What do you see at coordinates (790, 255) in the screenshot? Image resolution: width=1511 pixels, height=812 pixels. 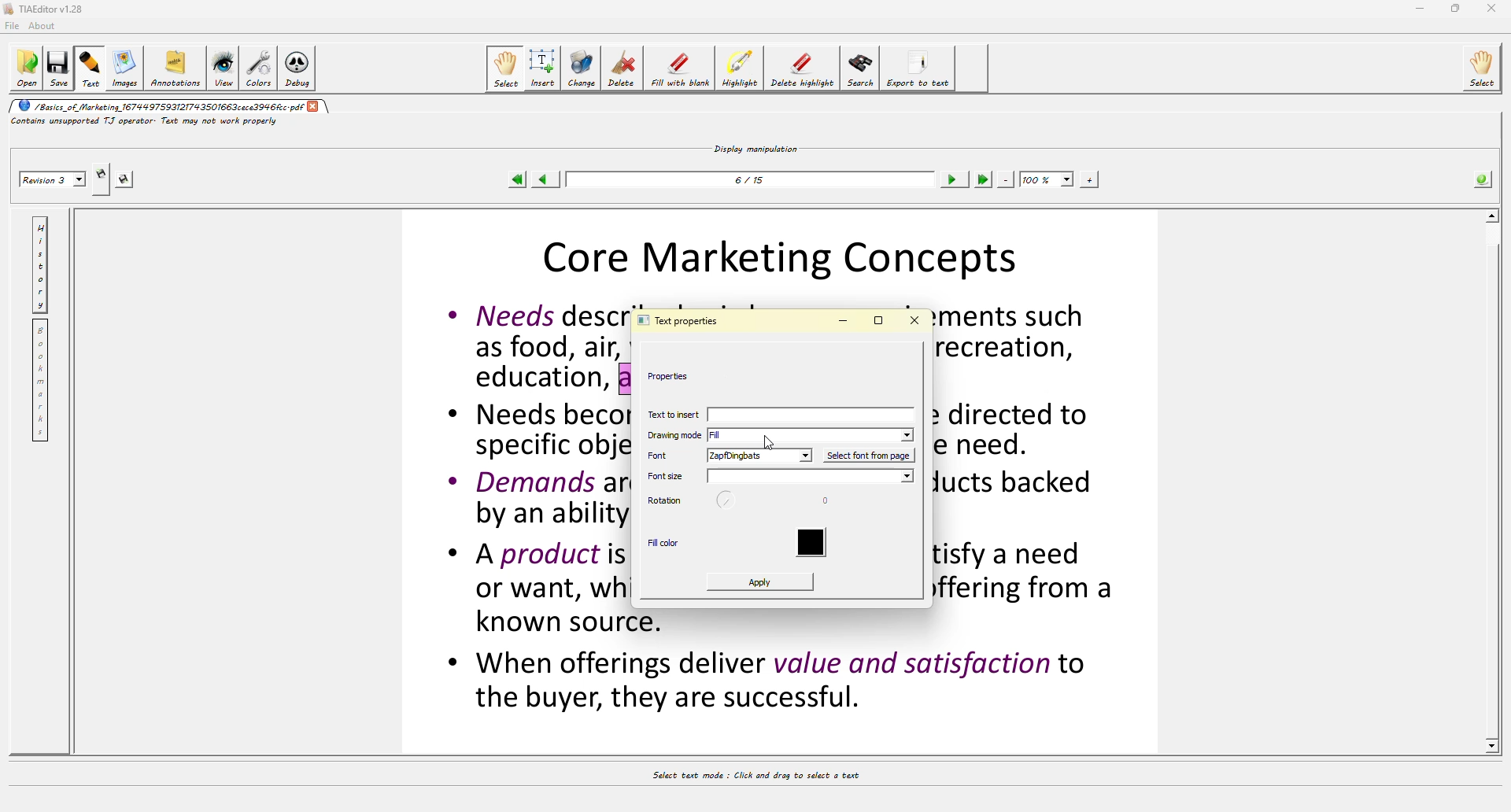 I see `Core Marketing Concepts` at bounding box center [790, 255].